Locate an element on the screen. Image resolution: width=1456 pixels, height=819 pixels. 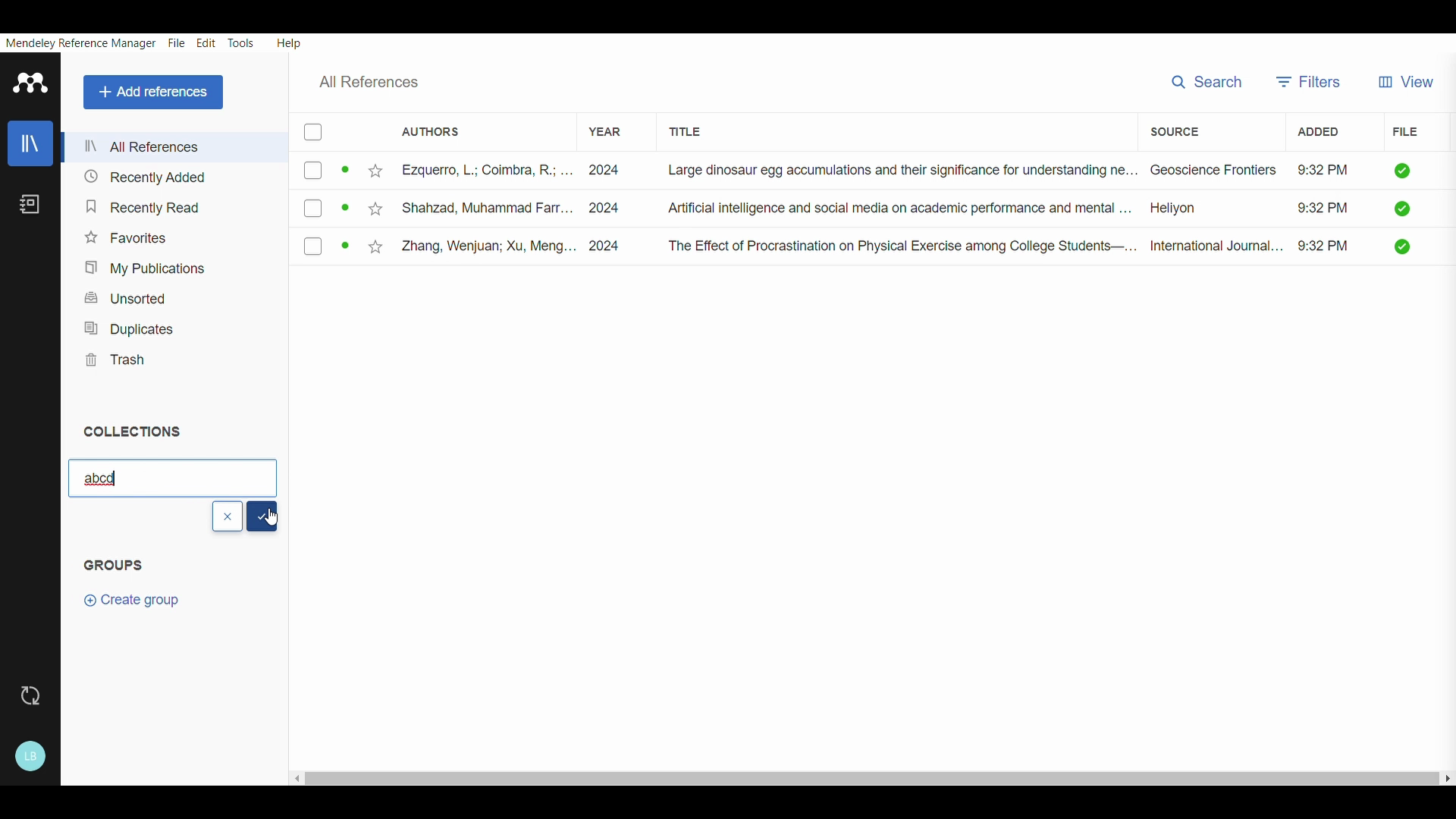
All refrences is located at coordinates (143, 147).